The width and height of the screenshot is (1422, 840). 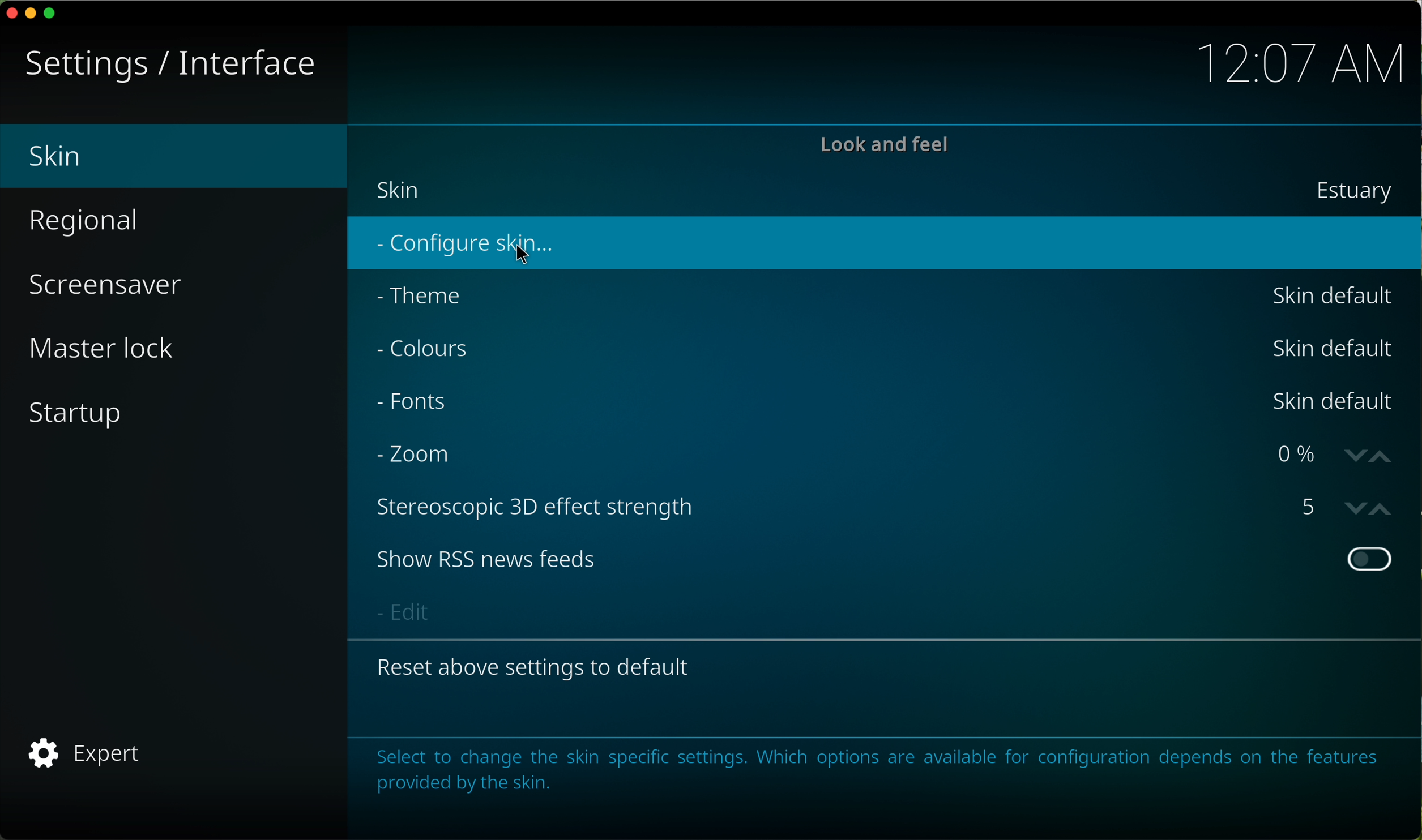 I want to click on 5, so click(x=1312, y=506).